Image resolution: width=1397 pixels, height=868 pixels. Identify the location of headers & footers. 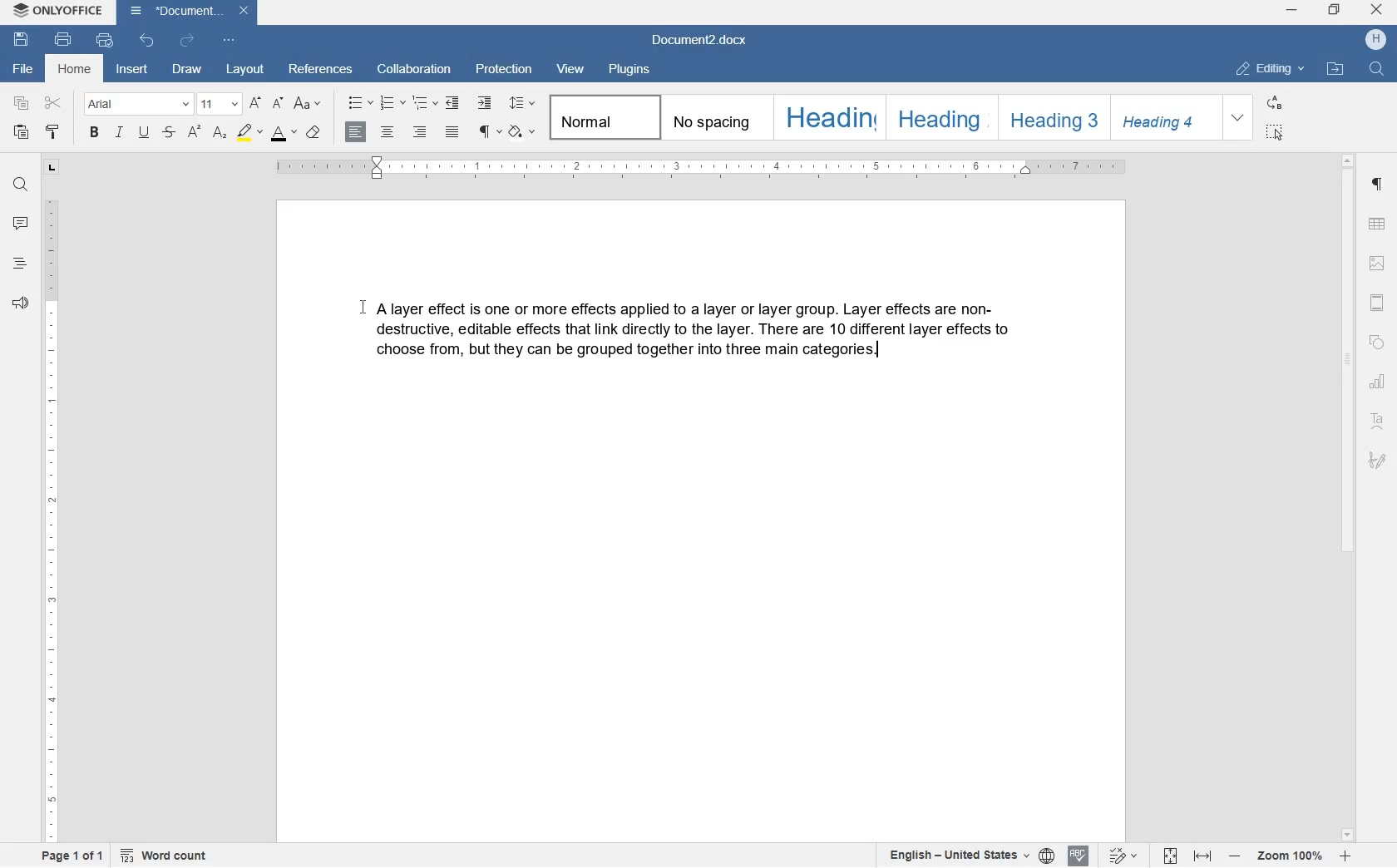
(1378, 302).